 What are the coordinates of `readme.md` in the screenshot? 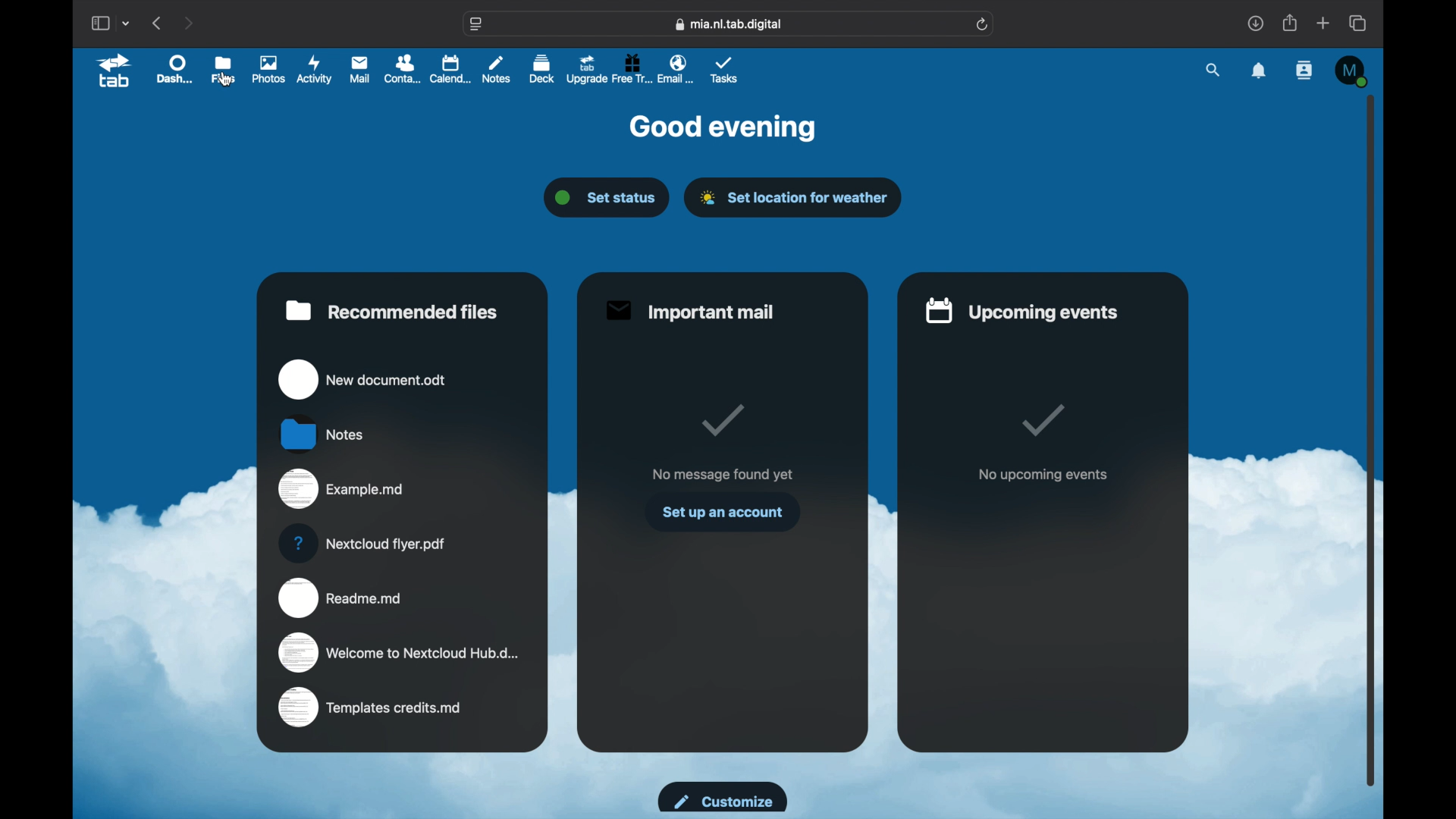 It's located at (341, 598).